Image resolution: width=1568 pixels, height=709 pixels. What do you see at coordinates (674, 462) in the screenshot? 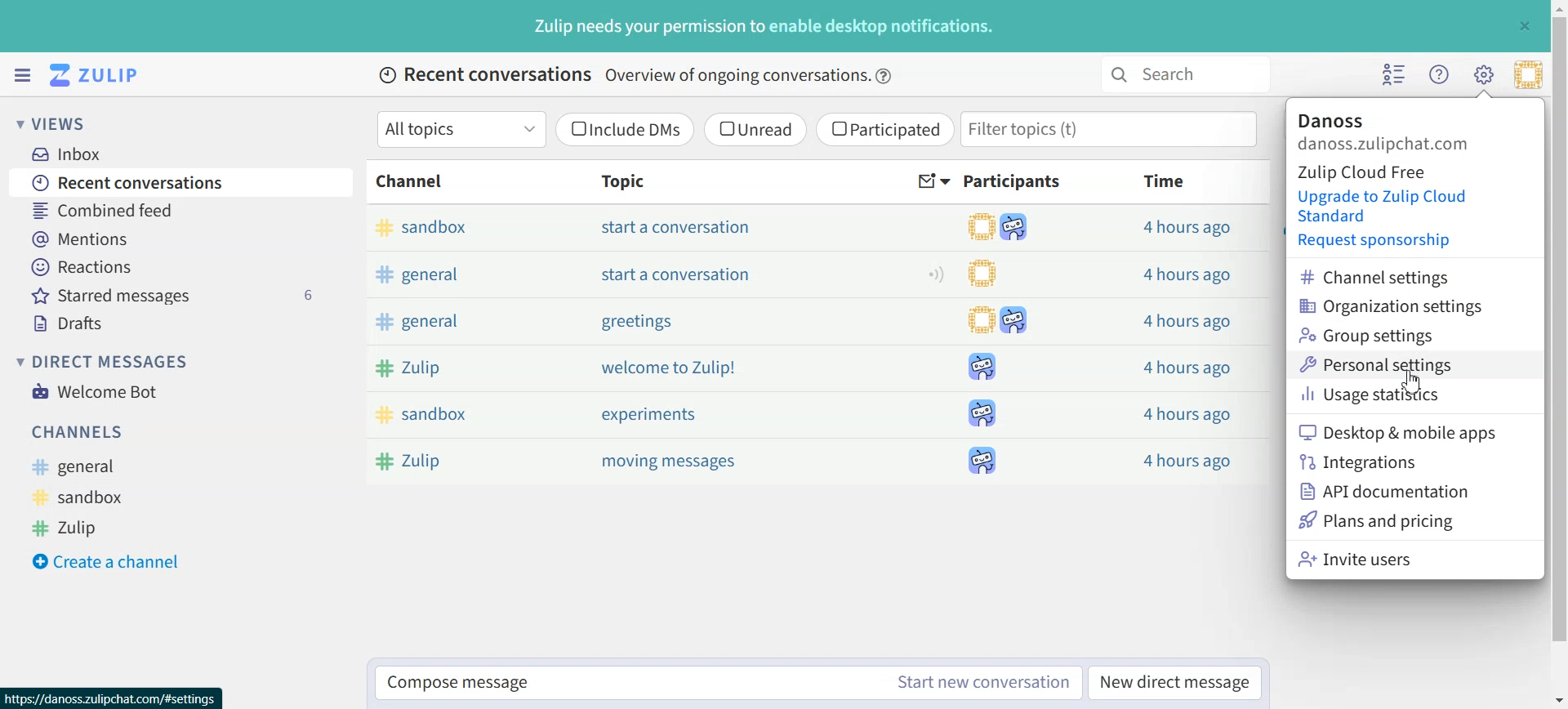
I see `Moving messages` at bounding box center [674, 462].